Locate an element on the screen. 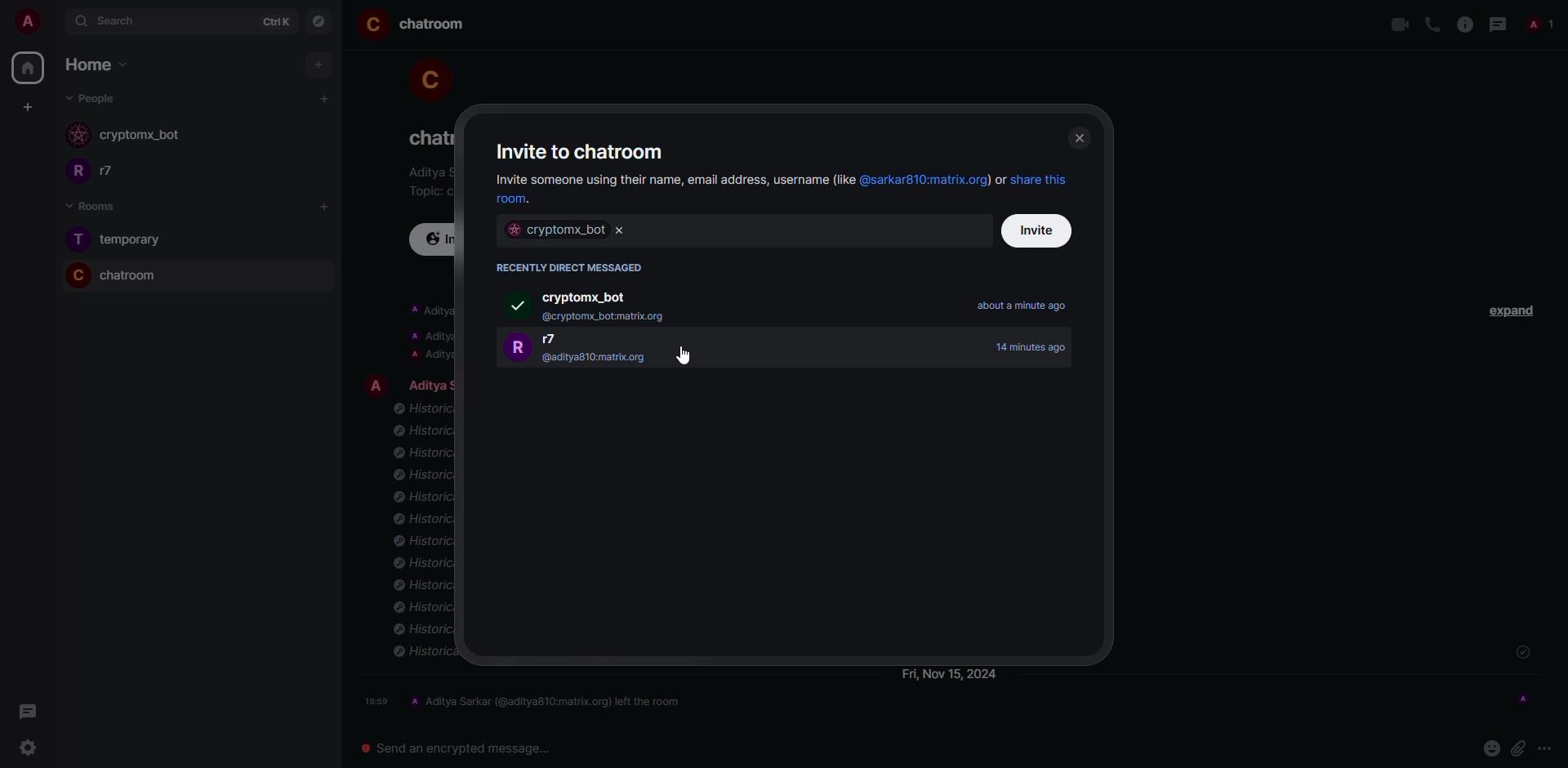 The height and width of the screenshot is (768, 1568). send encrypted message is located at coordinates (450, 747).